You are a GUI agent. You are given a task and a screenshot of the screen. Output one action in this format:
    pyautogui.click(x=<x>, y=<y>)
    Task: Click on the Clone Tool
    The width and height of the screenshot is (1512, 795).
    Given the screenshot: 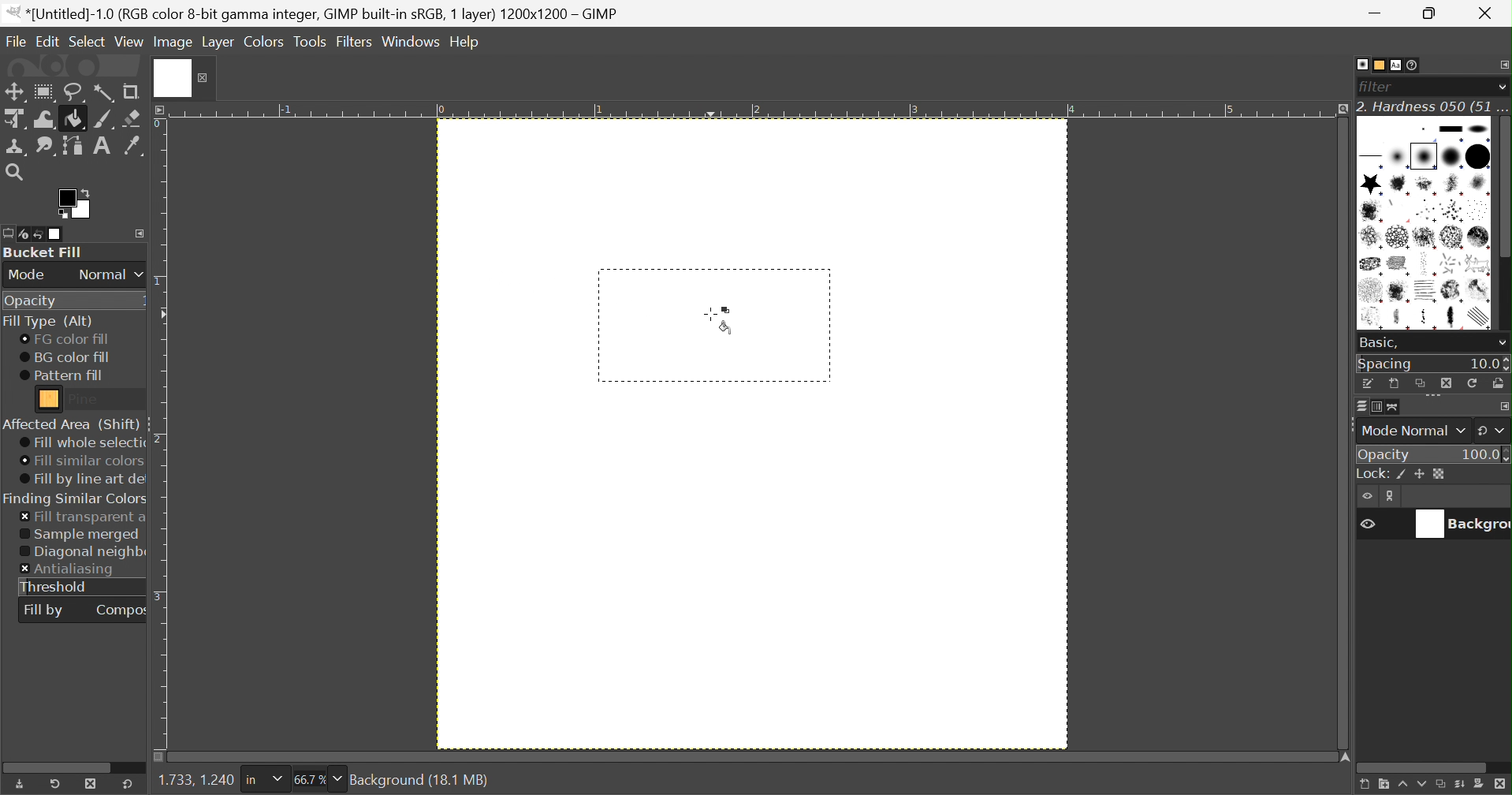 What is the action you would take?
    pyautogui.click(x=17, y=147)
    